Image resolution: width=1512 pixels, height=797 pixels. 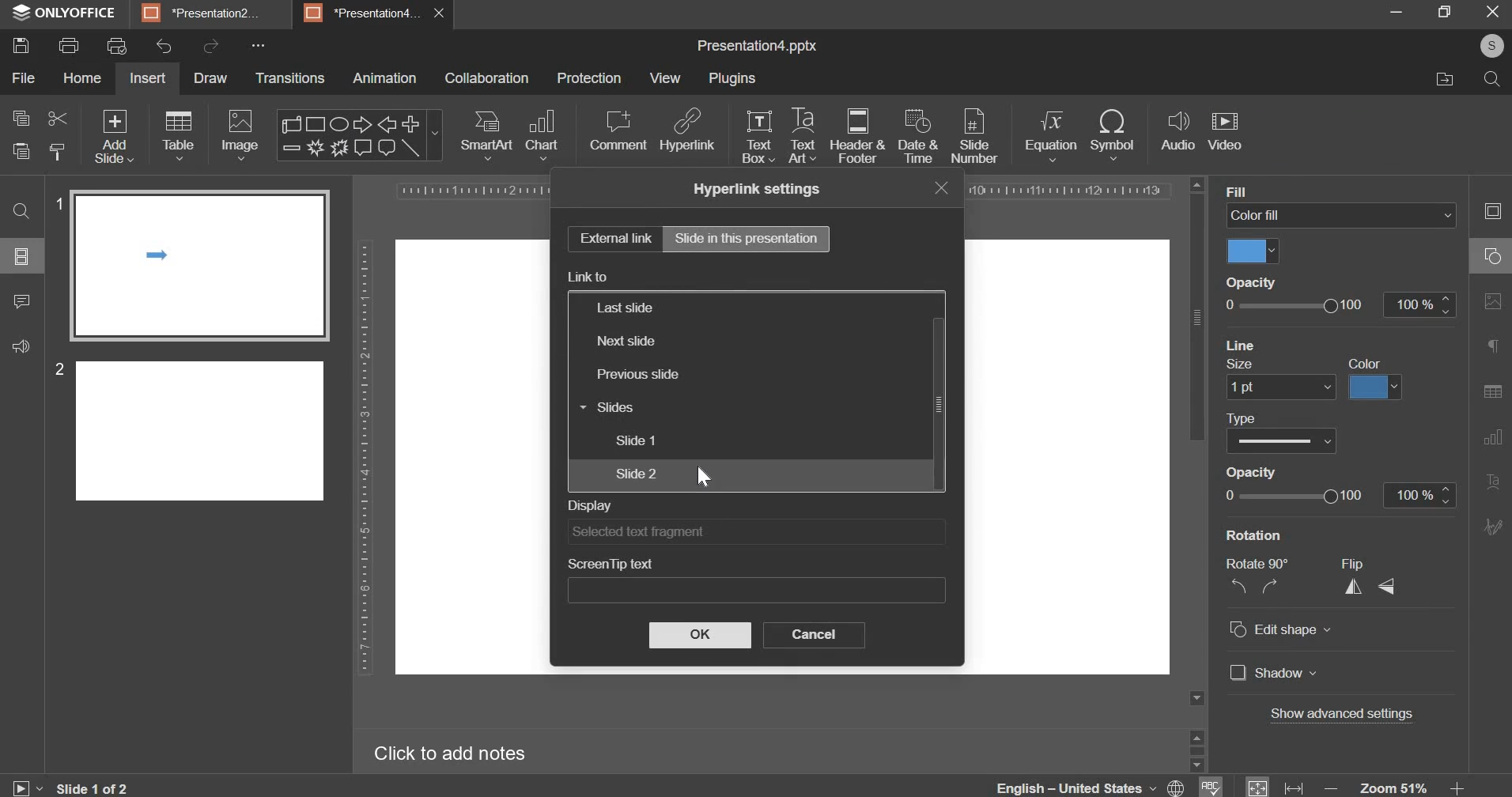 I want to click on Wl, so click(x=1253, y=251).